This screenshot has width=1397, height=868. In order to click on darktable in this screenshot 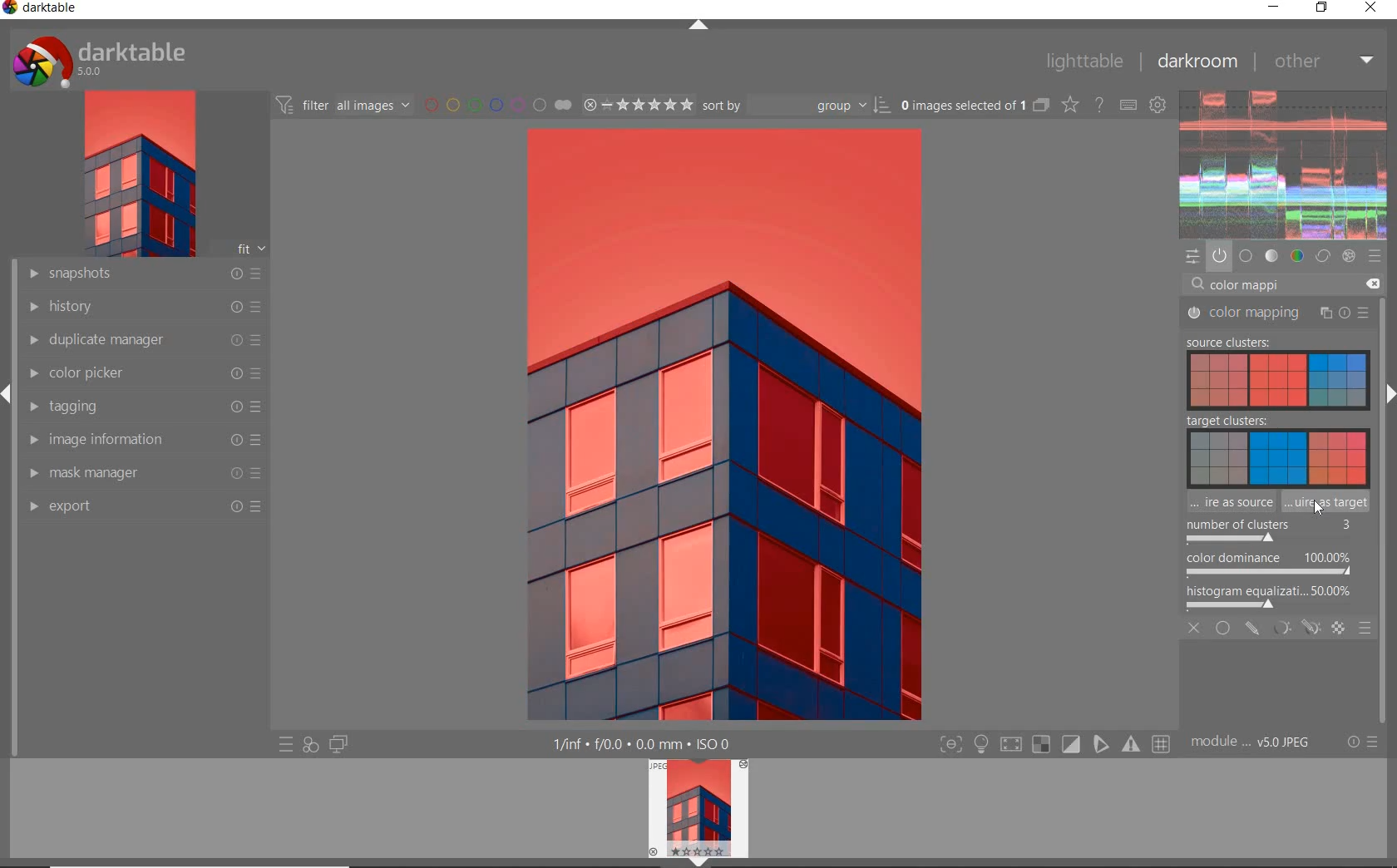, I will do `click(49, 11)`.